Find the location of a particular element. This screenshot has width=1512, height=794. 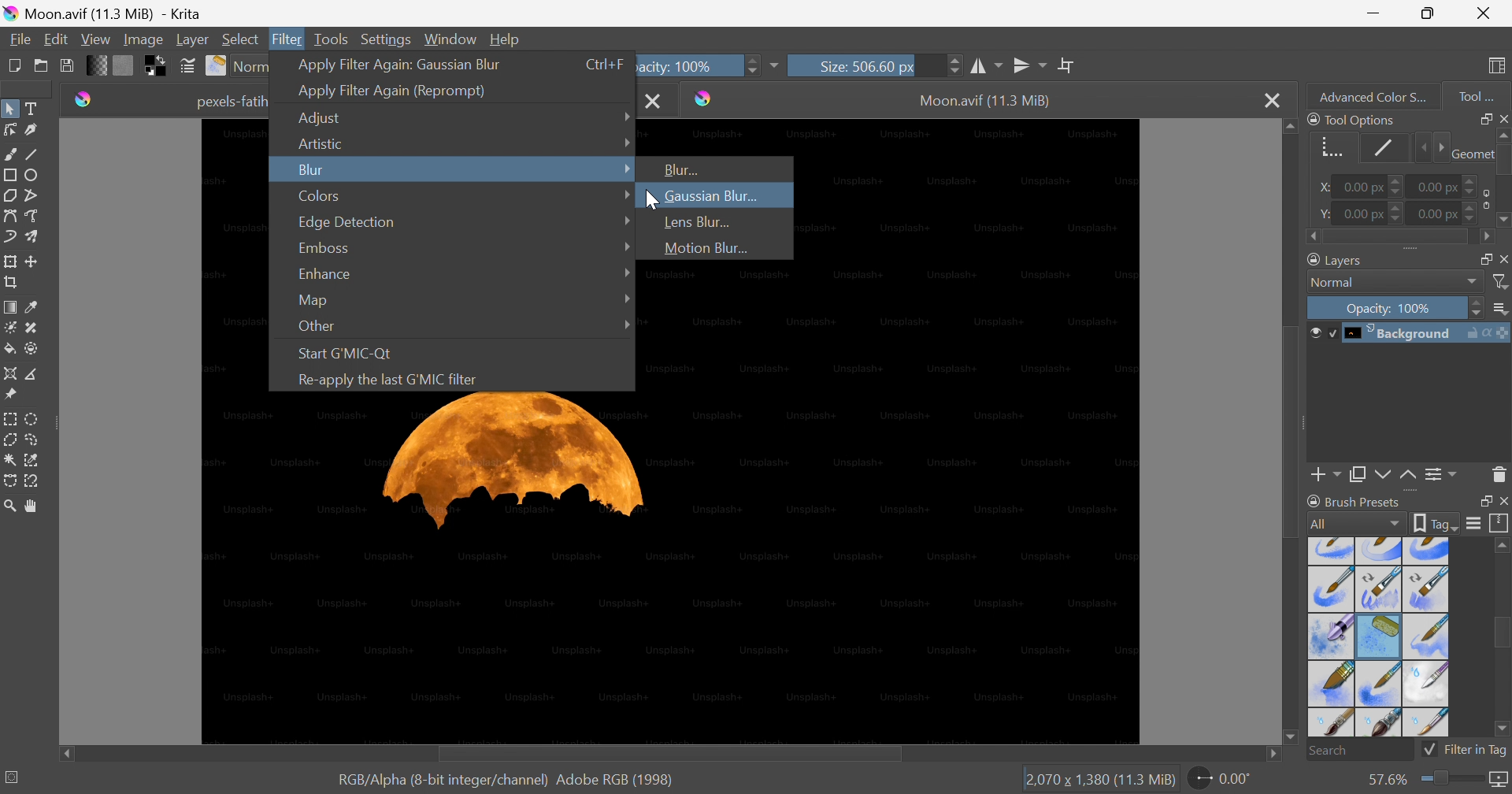

Storage resources is located at coordinates (1501, 523).